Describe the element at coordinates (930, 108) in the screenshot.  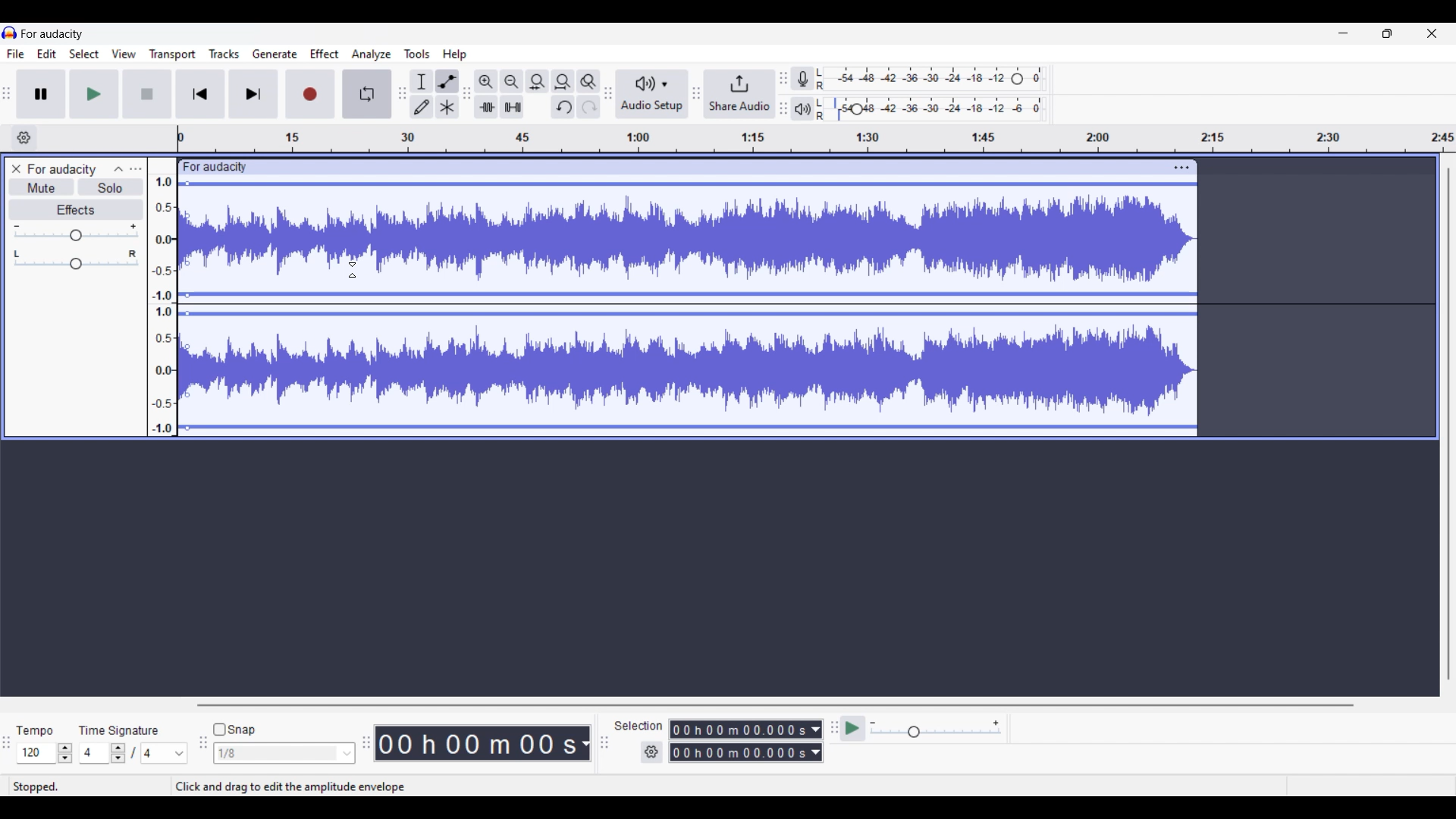
I see `Playback level` at that location.